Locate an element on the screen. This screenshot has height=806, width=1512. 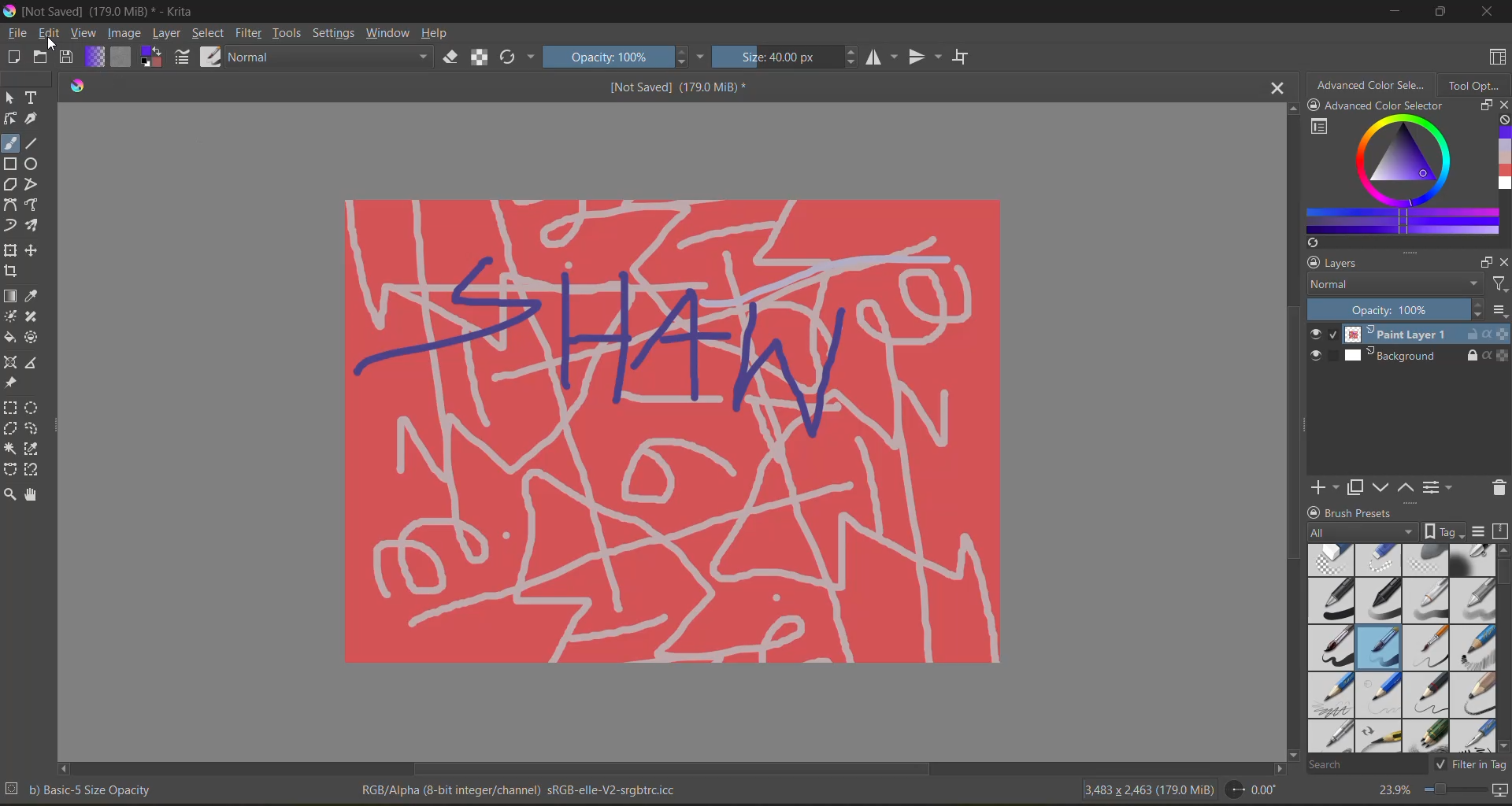
fill pattern is located at coordinates (121, 57).